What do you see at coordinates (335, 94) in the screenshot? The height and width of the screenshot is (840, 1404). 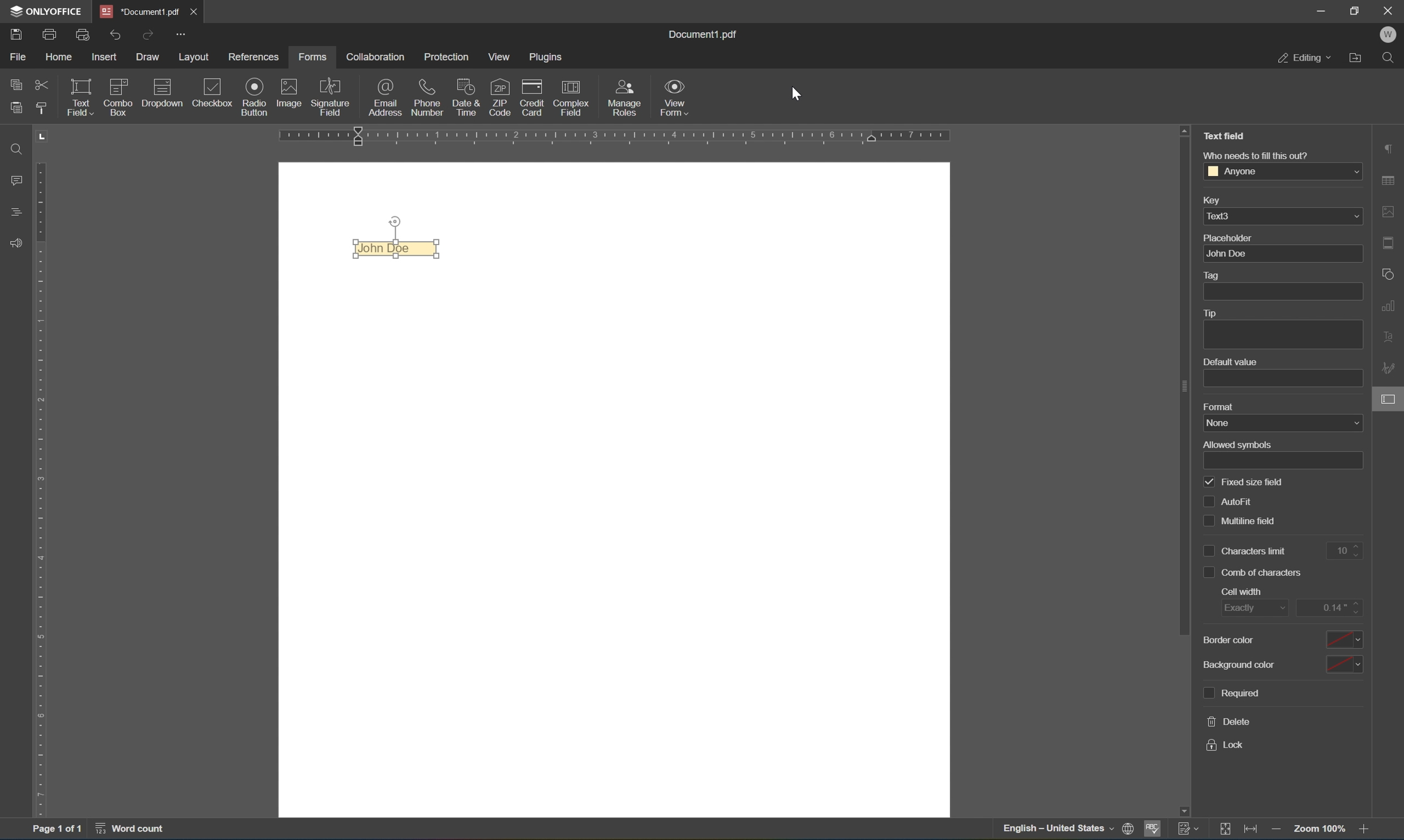 I see `signature field` at bounding box center [335, 94].